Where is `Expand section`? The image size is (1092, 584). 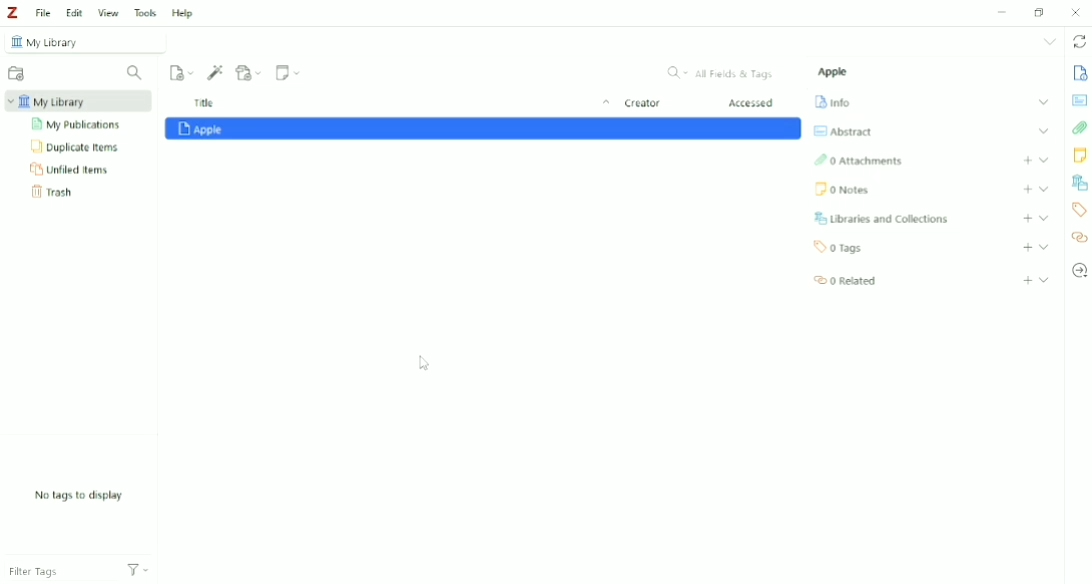
Expand section is located at coordinates (1043, 102).